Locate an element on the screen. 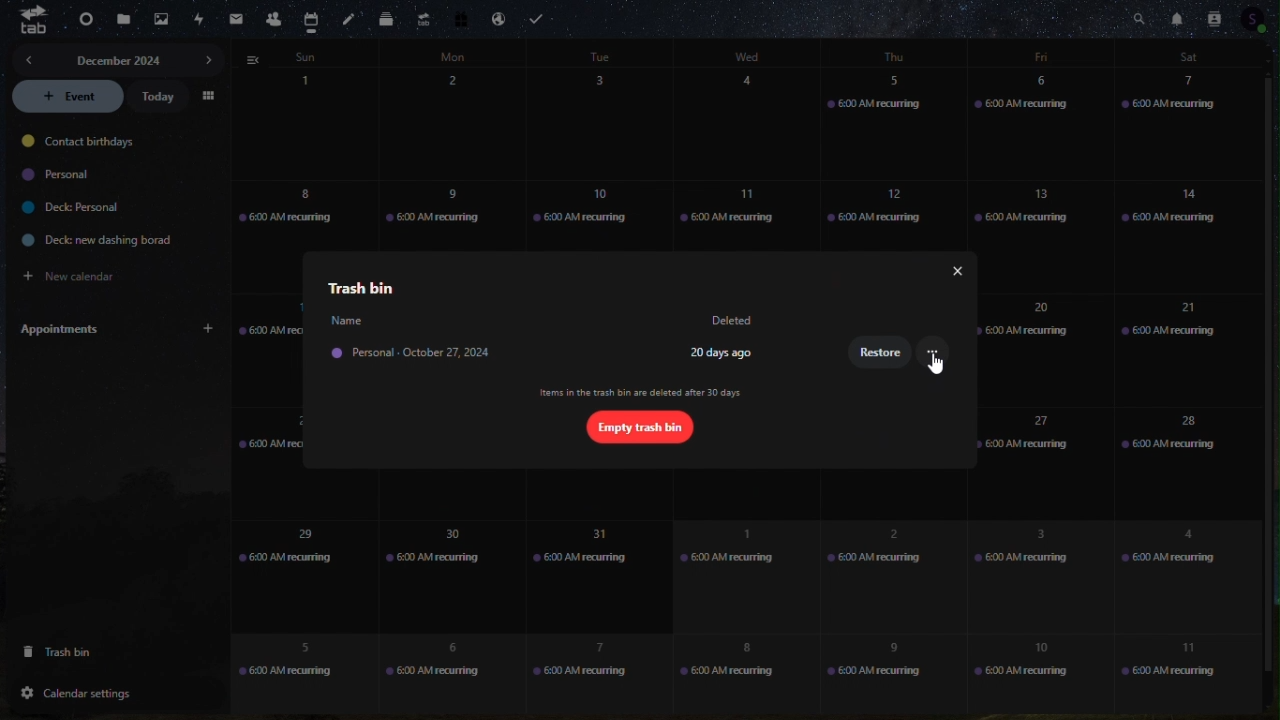 This screenshot has width=1280, height=720. deleted is located at coordinates (735, 321).